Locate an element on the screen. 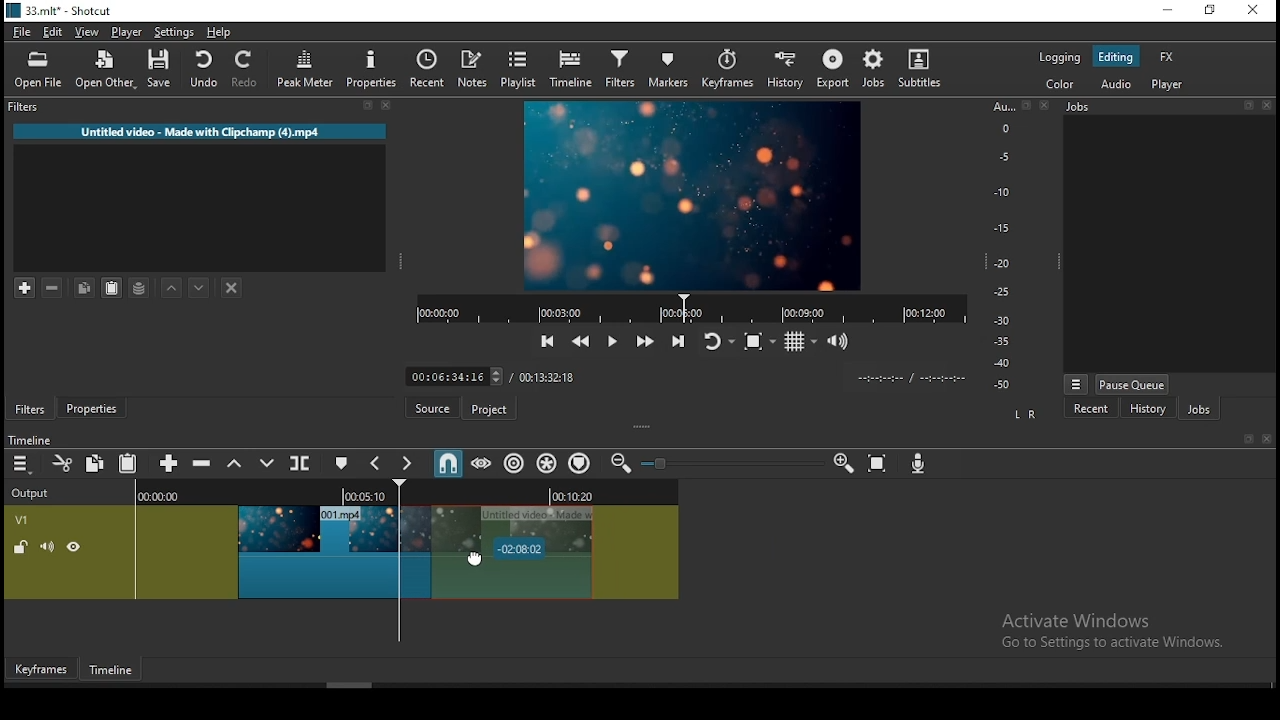   is located at coordinates (1025, 106).